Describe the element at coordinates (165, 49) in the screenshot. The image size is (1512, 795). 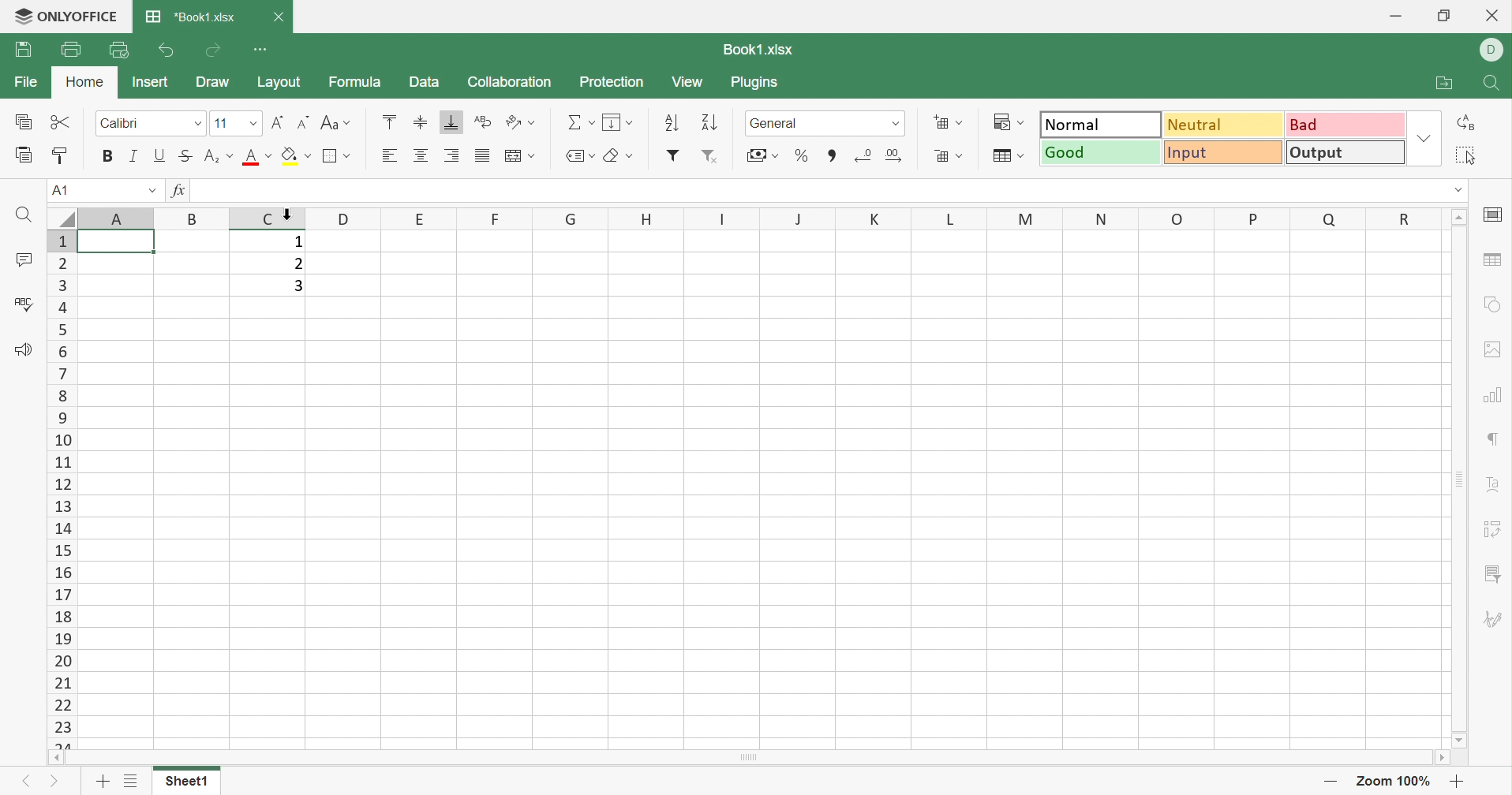
I see `Undo` at that location.